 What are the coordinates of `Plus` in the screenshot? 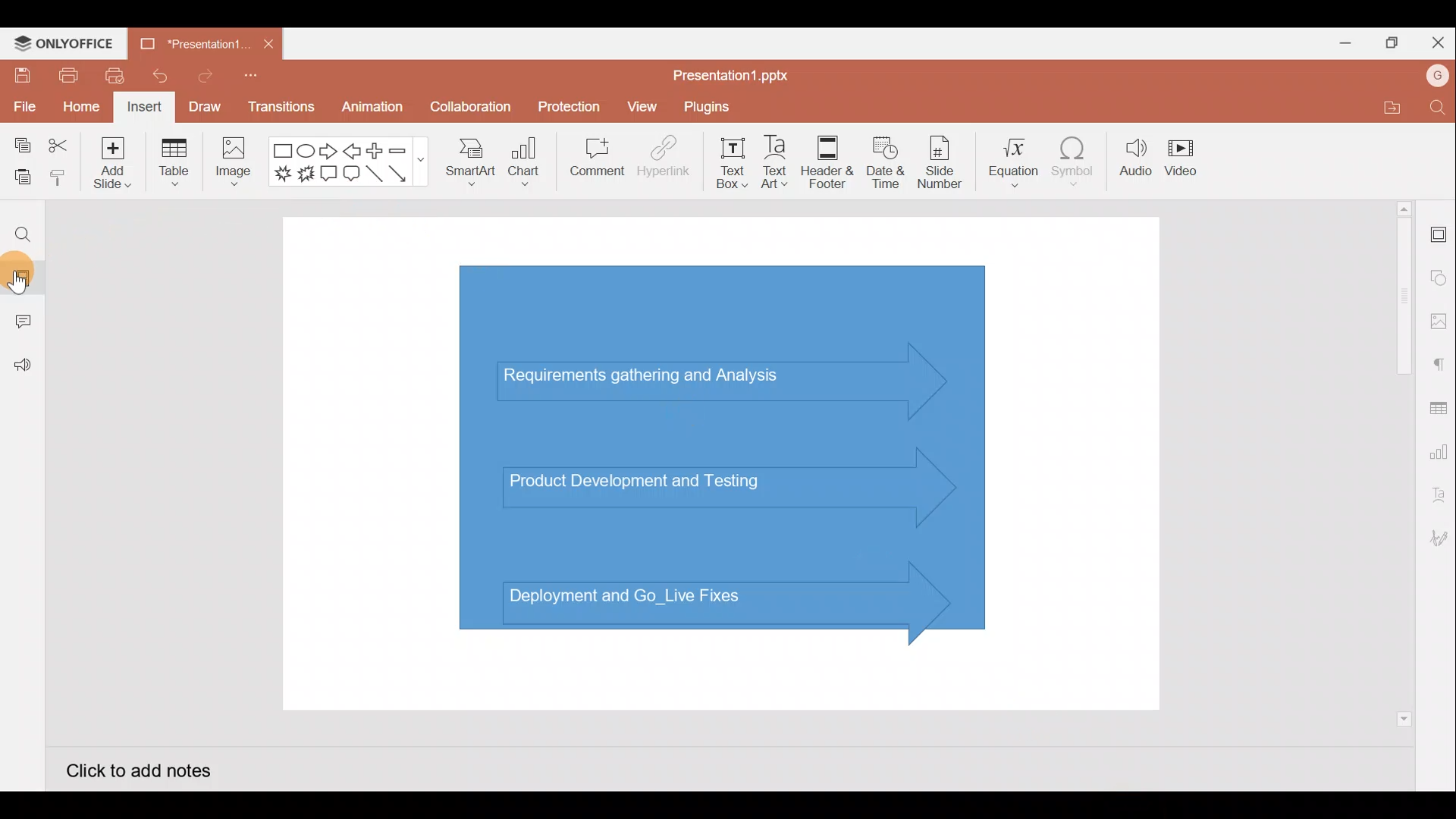 It's located at (375, 149).